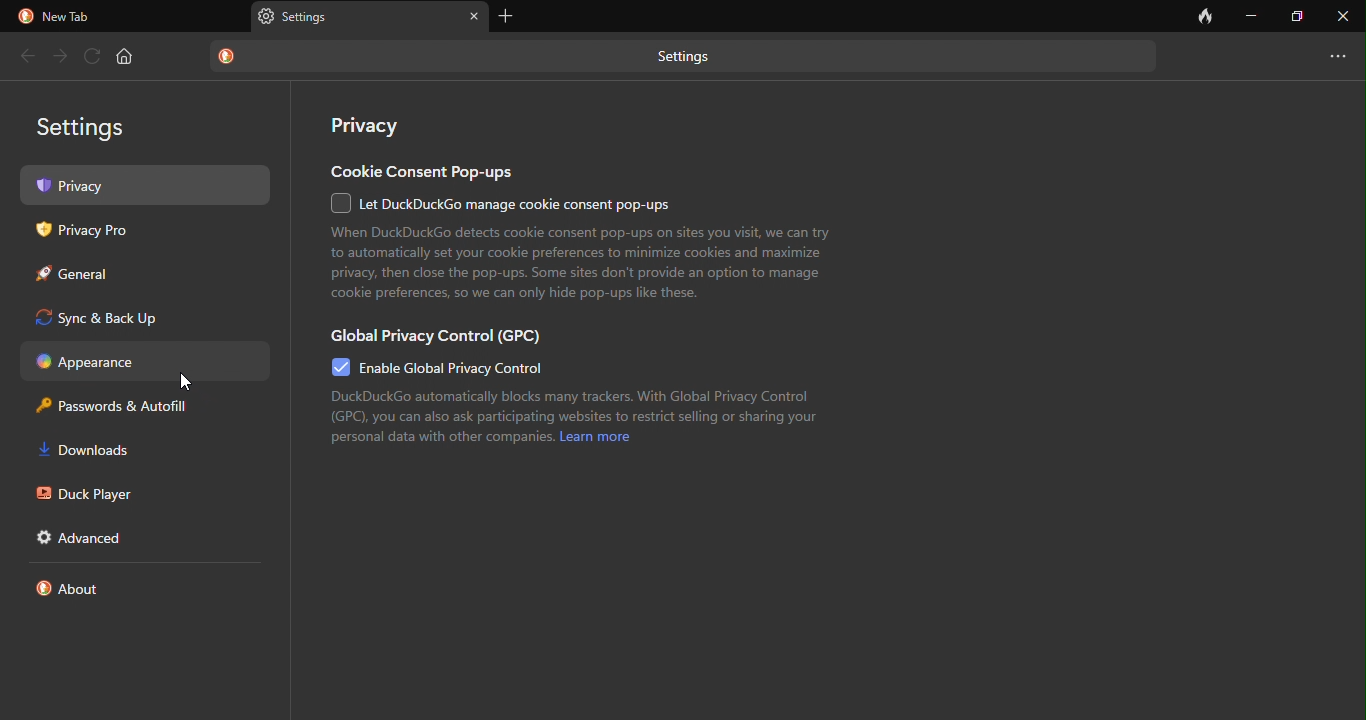 The height and width of the screenshot is (720, 1366). I want to click on appearance, so click(147, 362).